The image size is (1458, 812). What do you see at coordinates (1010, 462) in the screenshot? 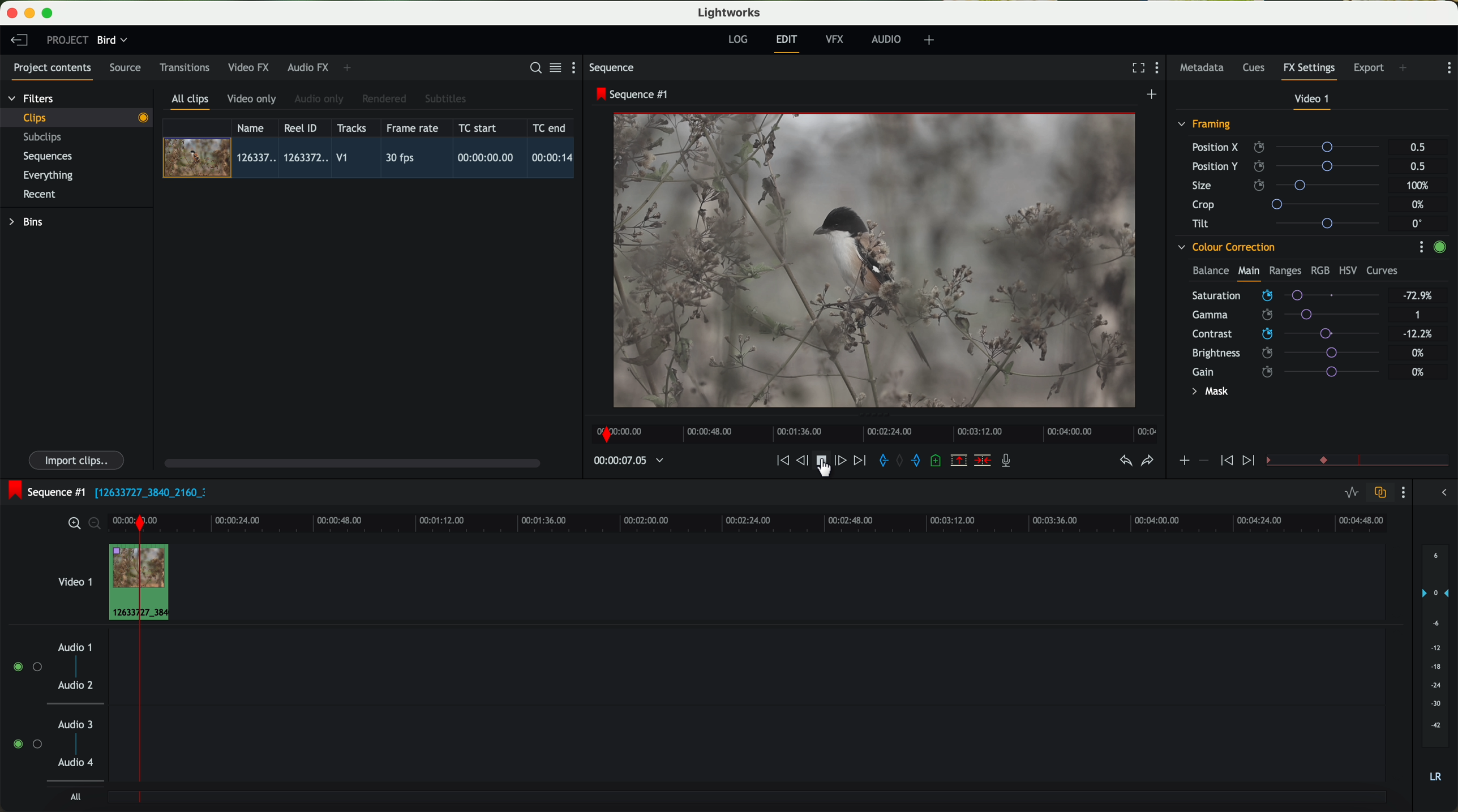
I see `record a voice-over` at bounding box center [1010, 462].